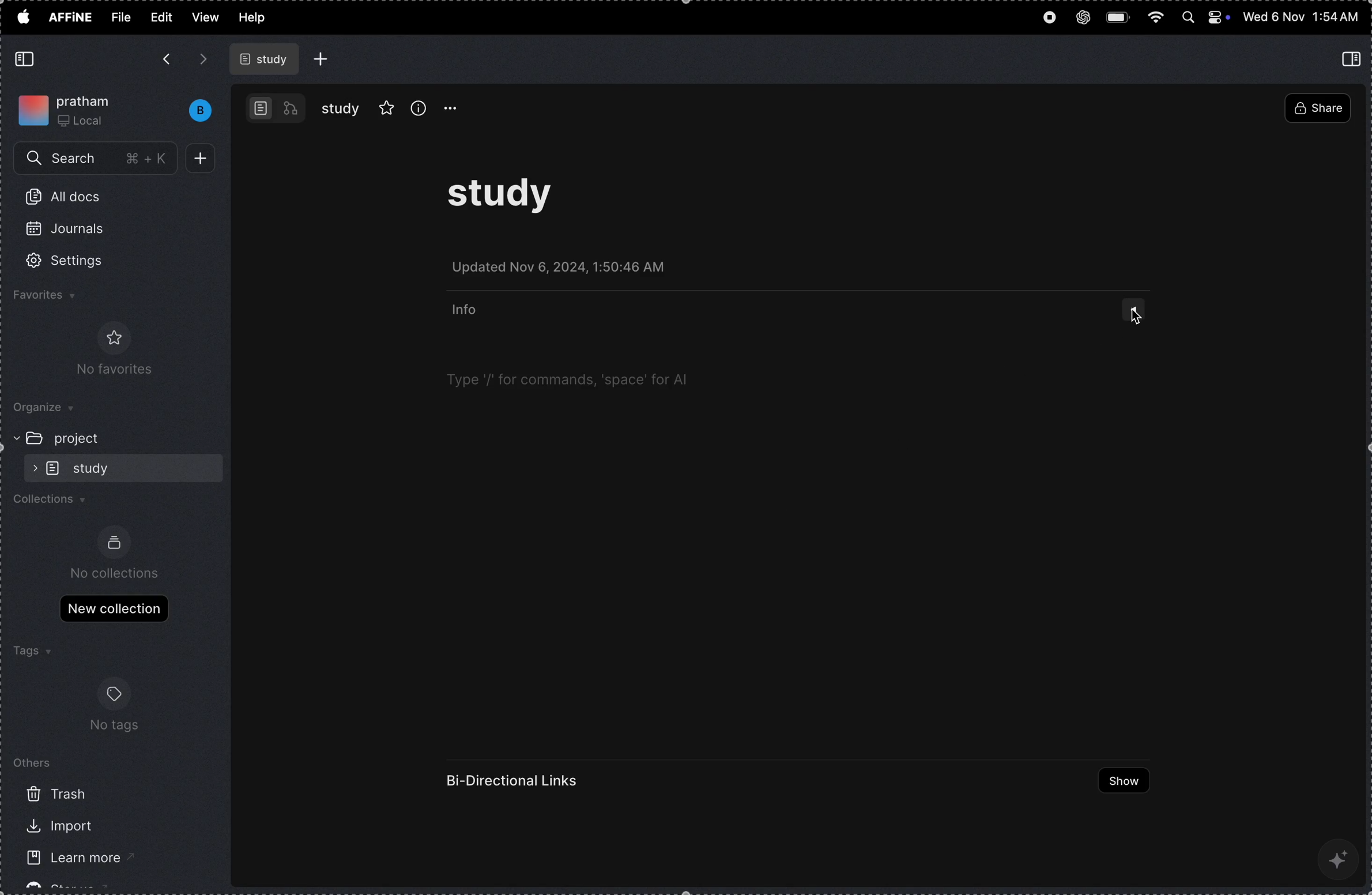  I want to click on apple menu, so click(22, 16).